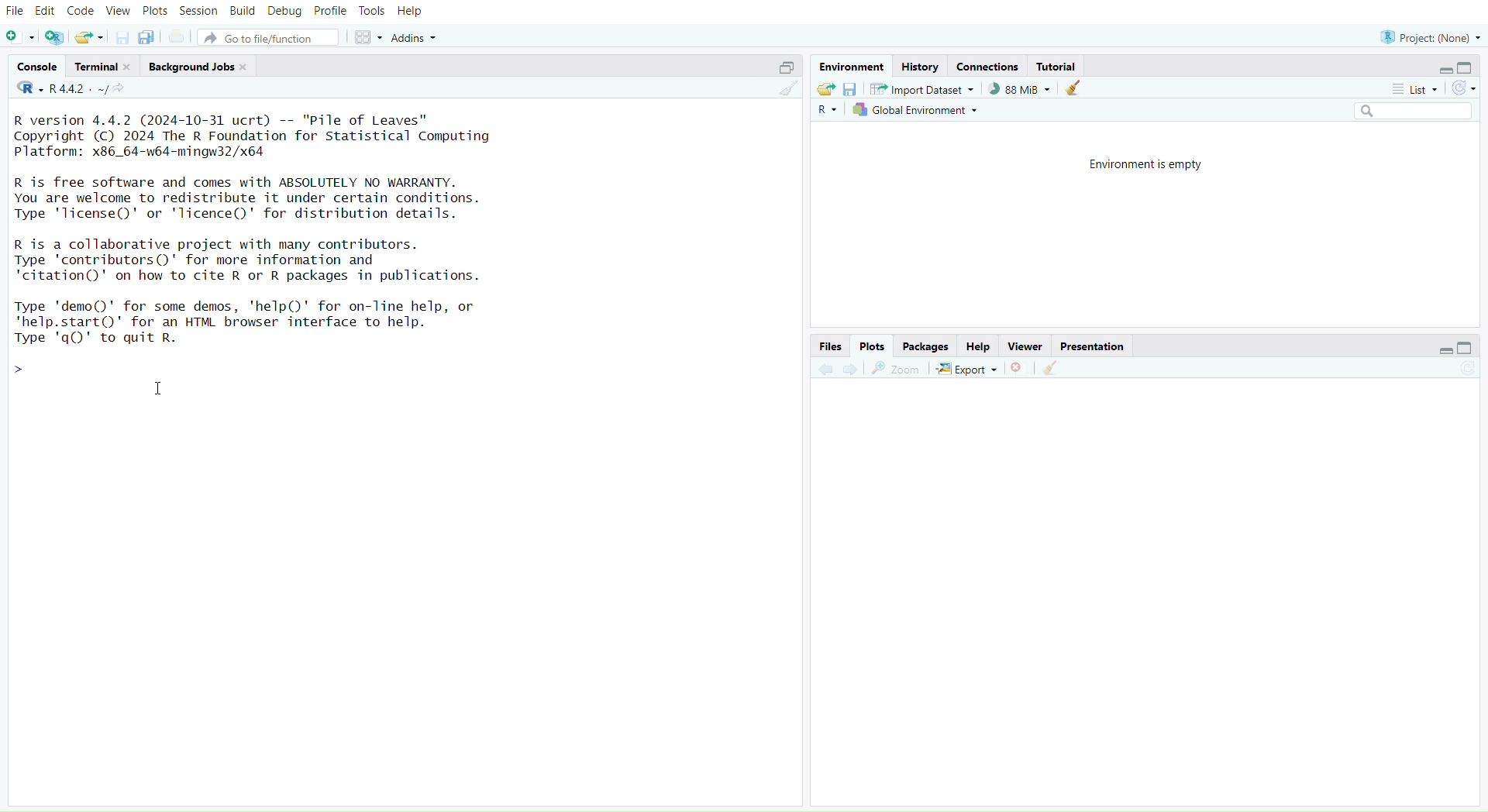  Describe the element at coordinates (120, 89) in the screenshot. I see `view the current working directory` at that location.